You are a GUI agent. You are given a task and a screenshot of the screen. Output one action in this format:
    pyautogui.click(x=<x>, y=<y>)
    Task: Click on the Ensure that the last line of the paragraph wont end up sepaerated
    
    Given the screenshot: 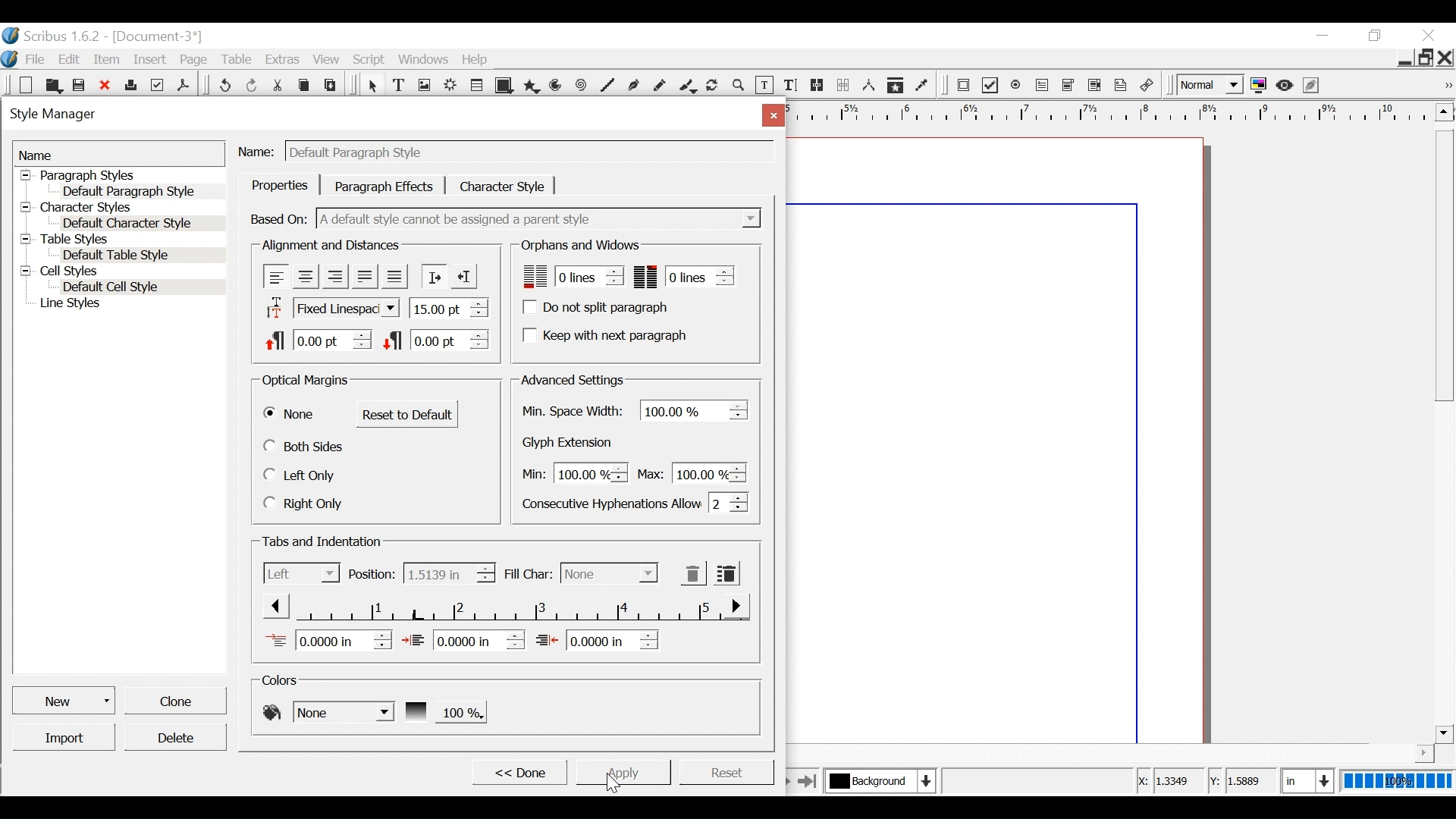 What is the action you would take?
    pyautogui.click(x=685, y=276)
    